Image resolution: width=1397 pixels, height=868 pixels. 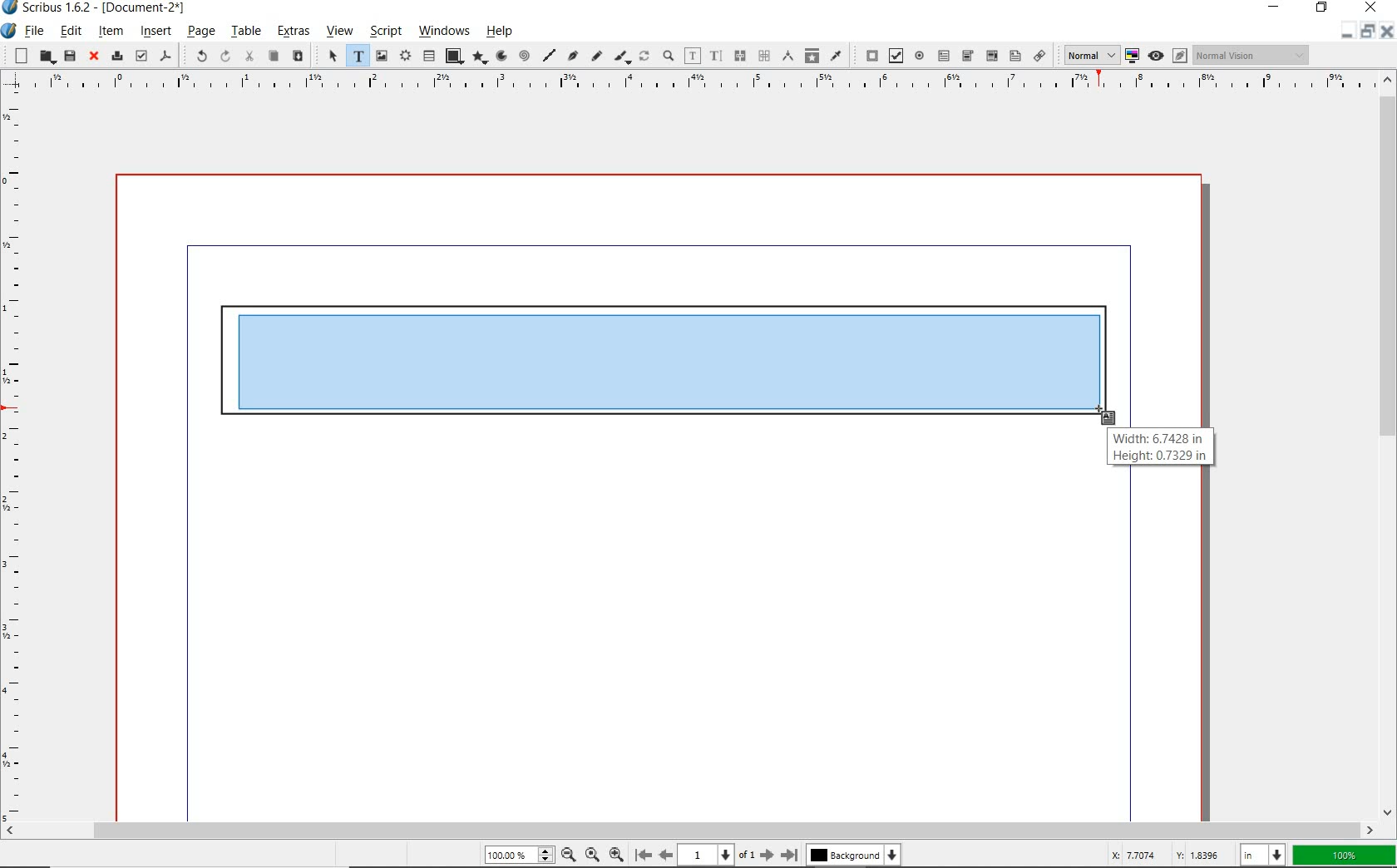 What do you see at coordinates (17, 55) in the screenshot?
I see `new` at bounding box center [17, 55].